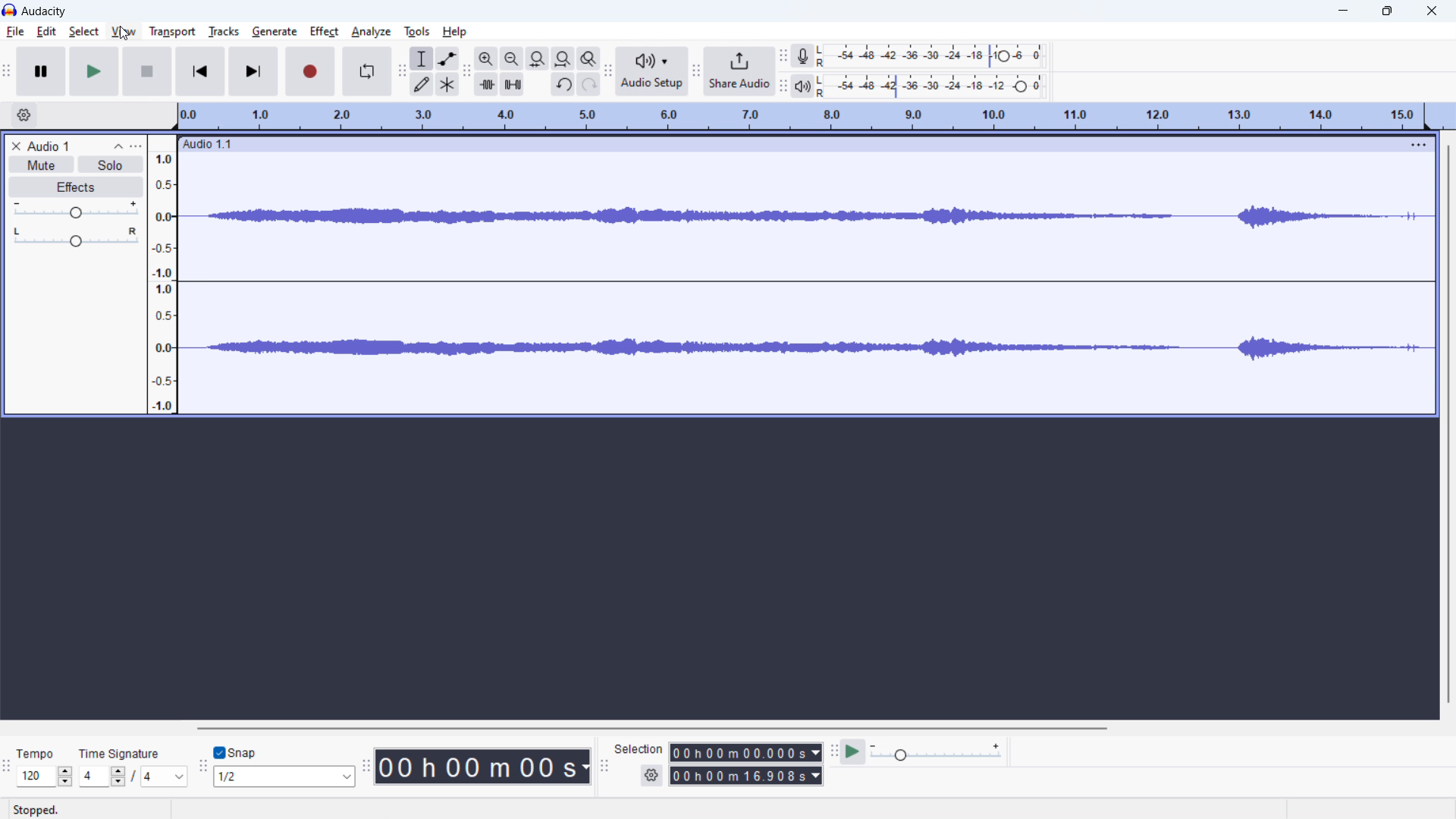  I want to click on analyze, so click(372, 32).